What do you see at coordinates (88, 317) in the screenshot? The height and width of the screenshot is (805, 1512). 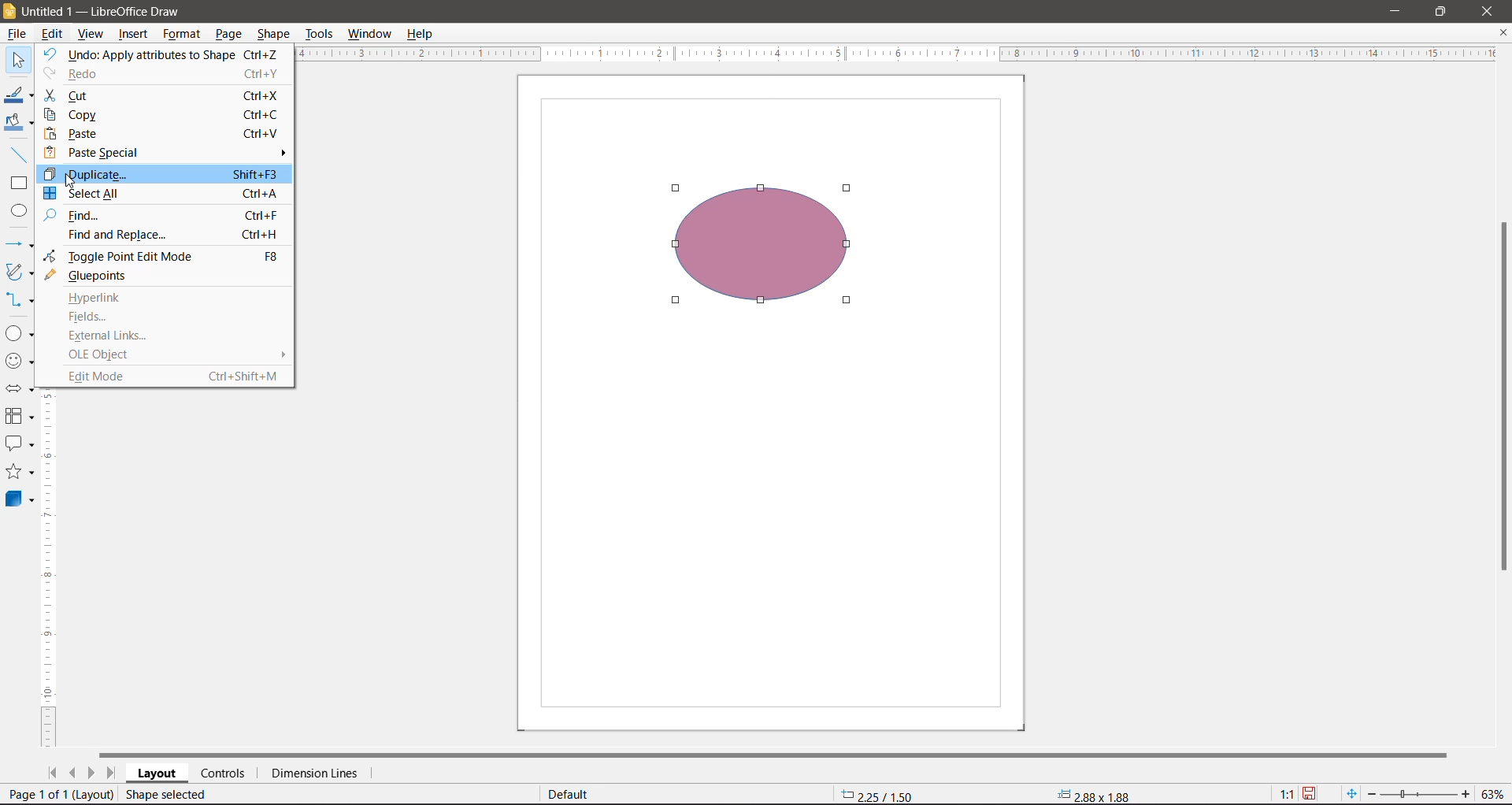 I see `Fields` at bounding box center [88, 317].